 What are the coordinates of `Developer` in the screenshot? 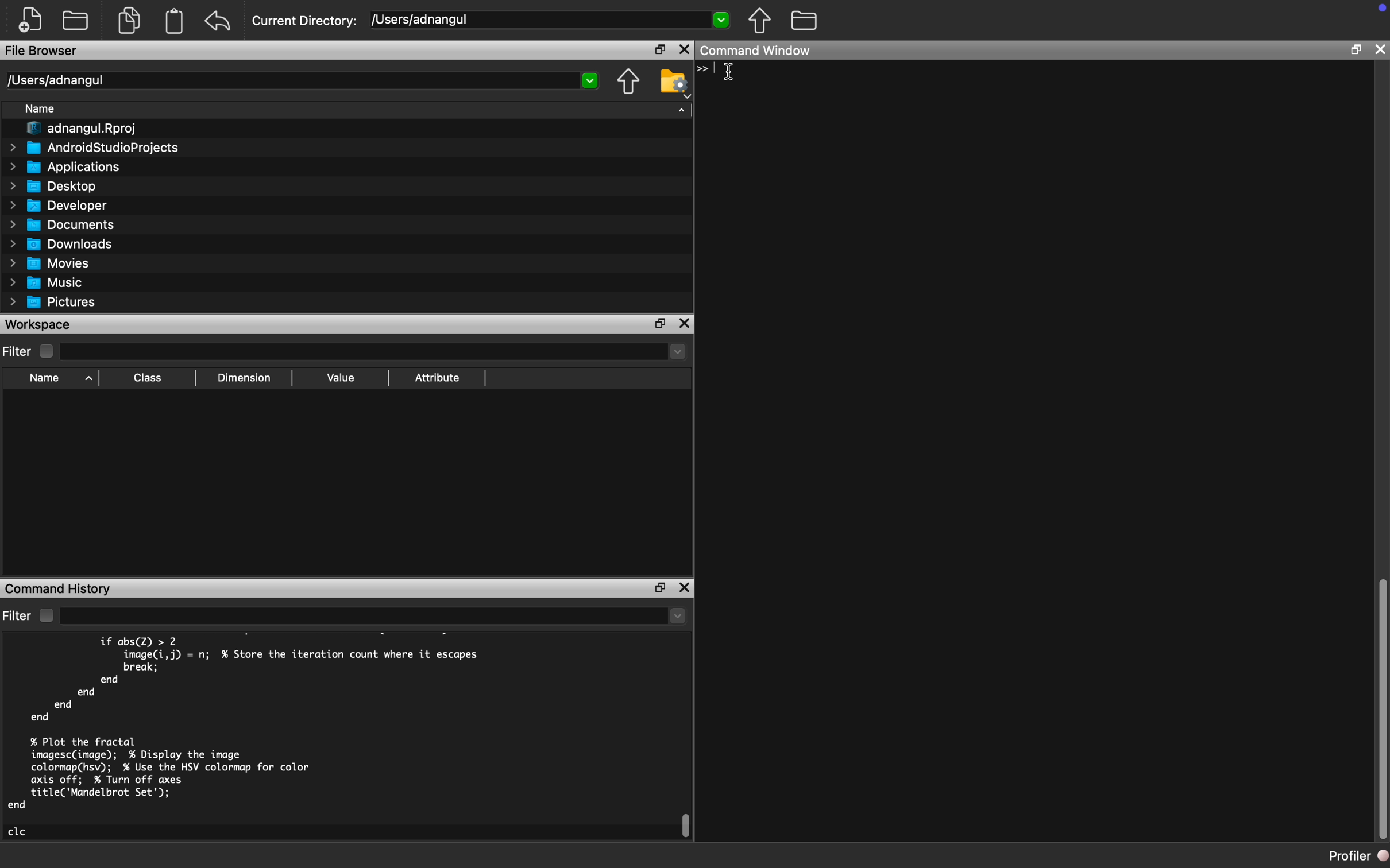 It's located at (61, 205).